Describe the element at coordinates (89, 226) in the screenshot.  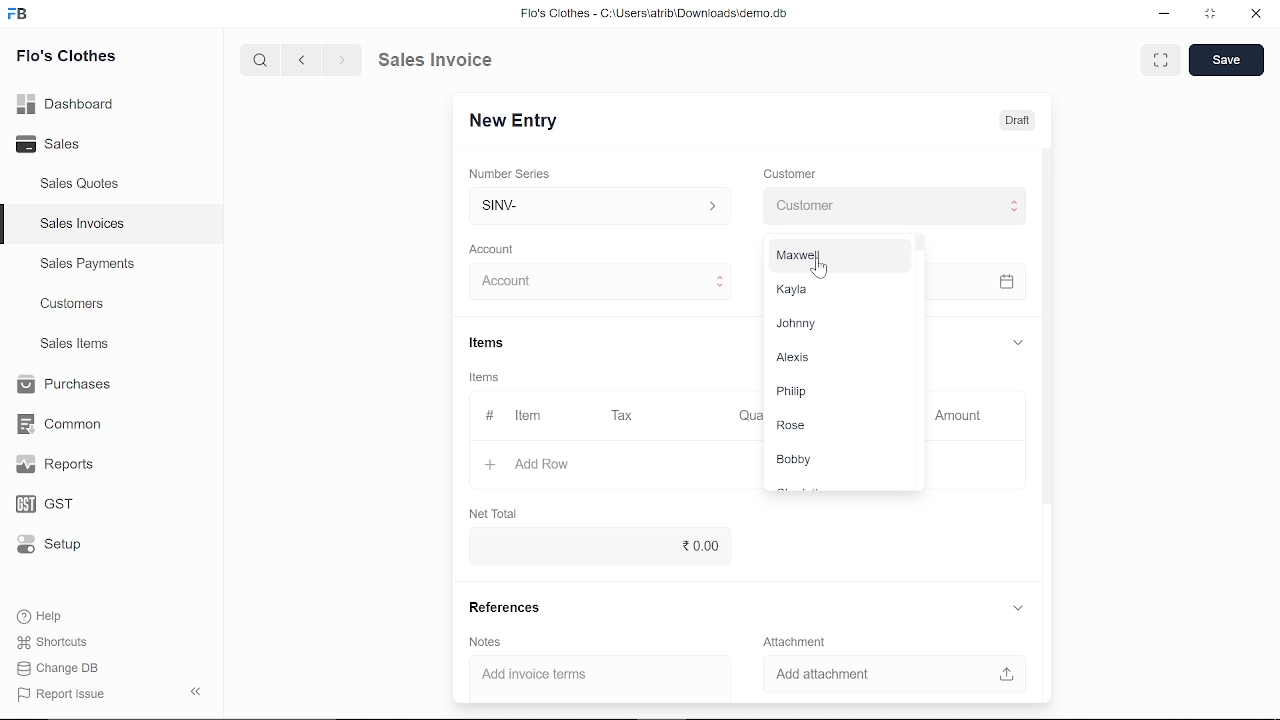
I see `Sales Invoices` at that location.